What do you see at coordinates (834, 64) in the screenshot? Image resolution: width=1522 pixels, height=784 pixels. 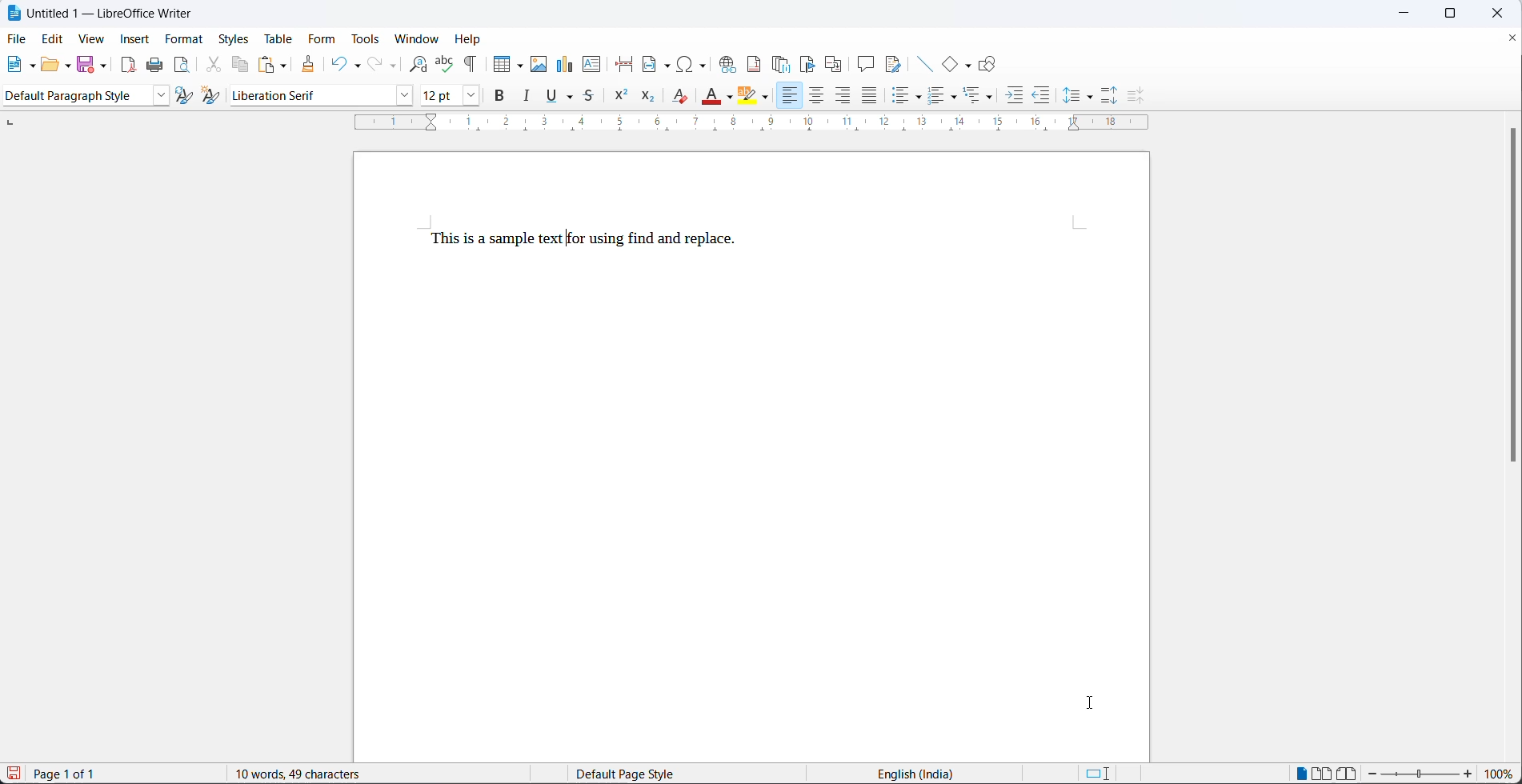 I see `insert cross-reference` at bounding box center [834, 64].